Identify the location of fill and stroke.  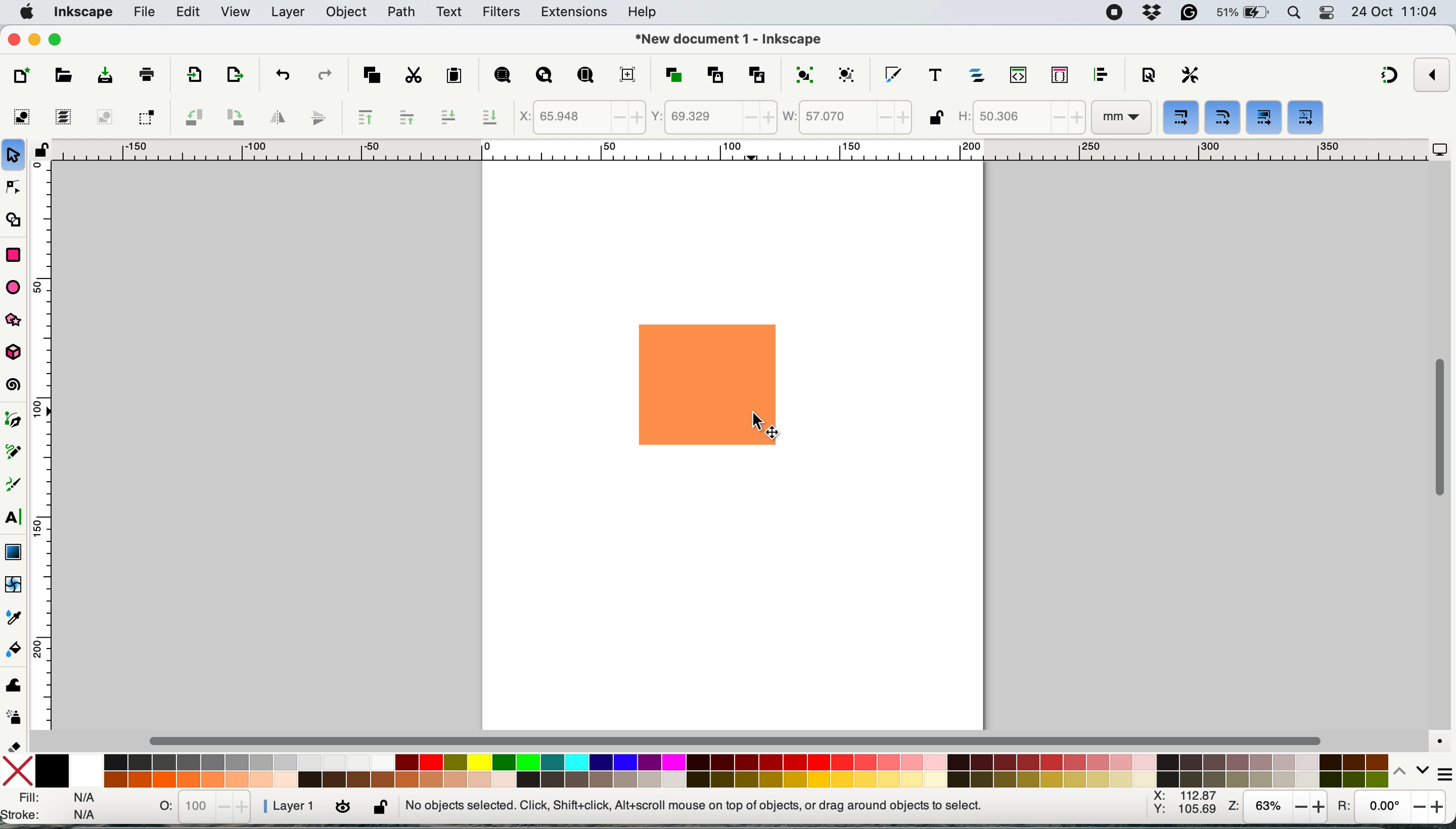
(54, 808).